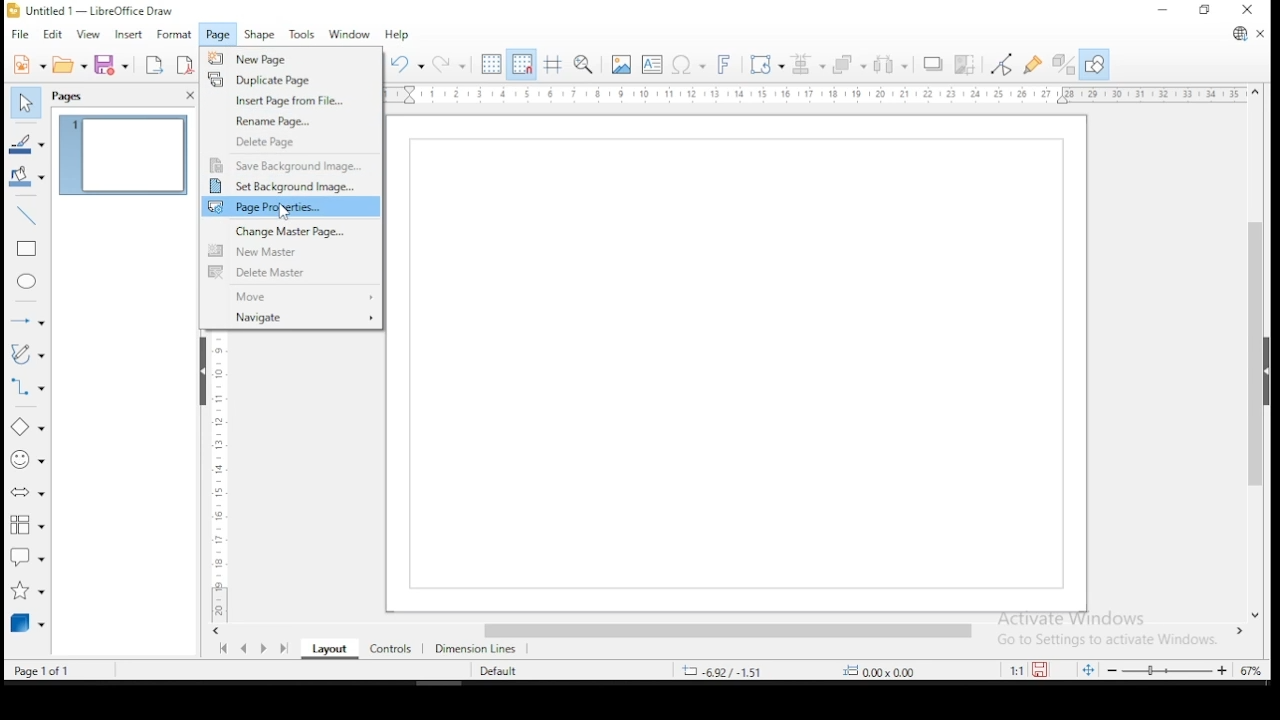  What do you see at coordinates (1093, 65) in the screenshot?
I see `show draw functions` at bounding box center [1093, 65].